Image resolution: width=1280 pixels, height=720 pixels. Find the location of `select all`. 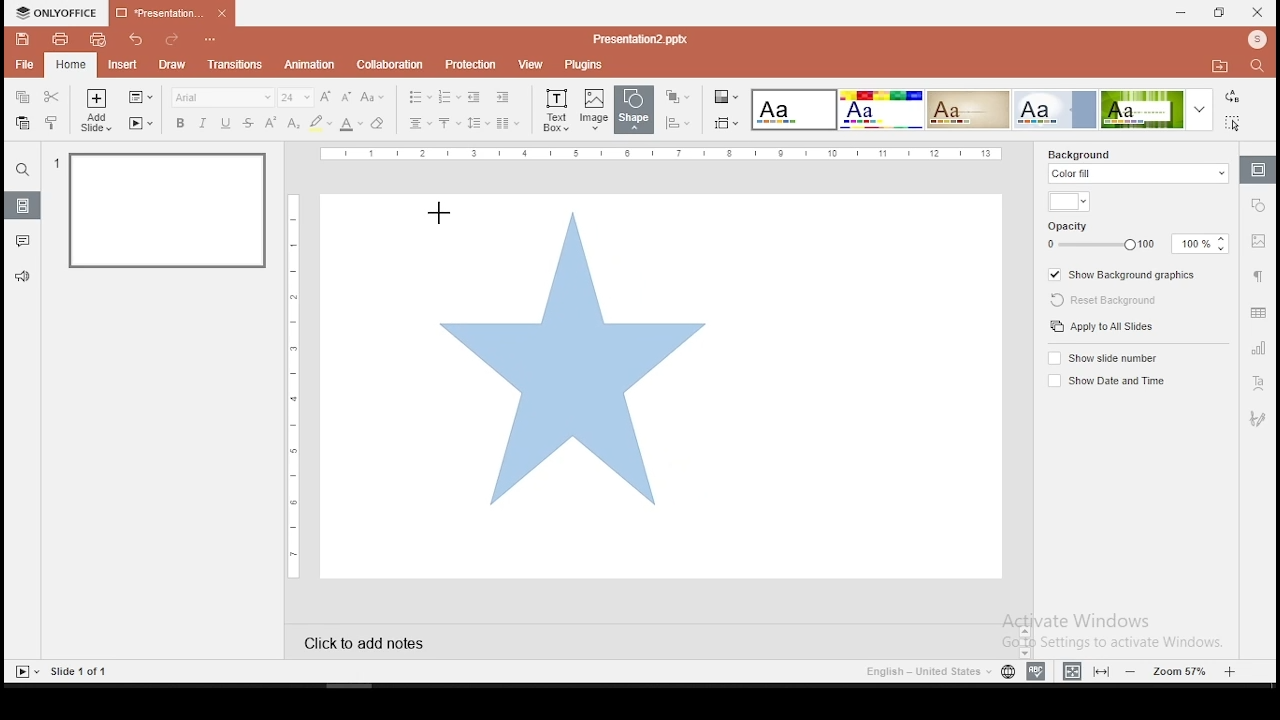

select all is located at coordinates (1236, 122).